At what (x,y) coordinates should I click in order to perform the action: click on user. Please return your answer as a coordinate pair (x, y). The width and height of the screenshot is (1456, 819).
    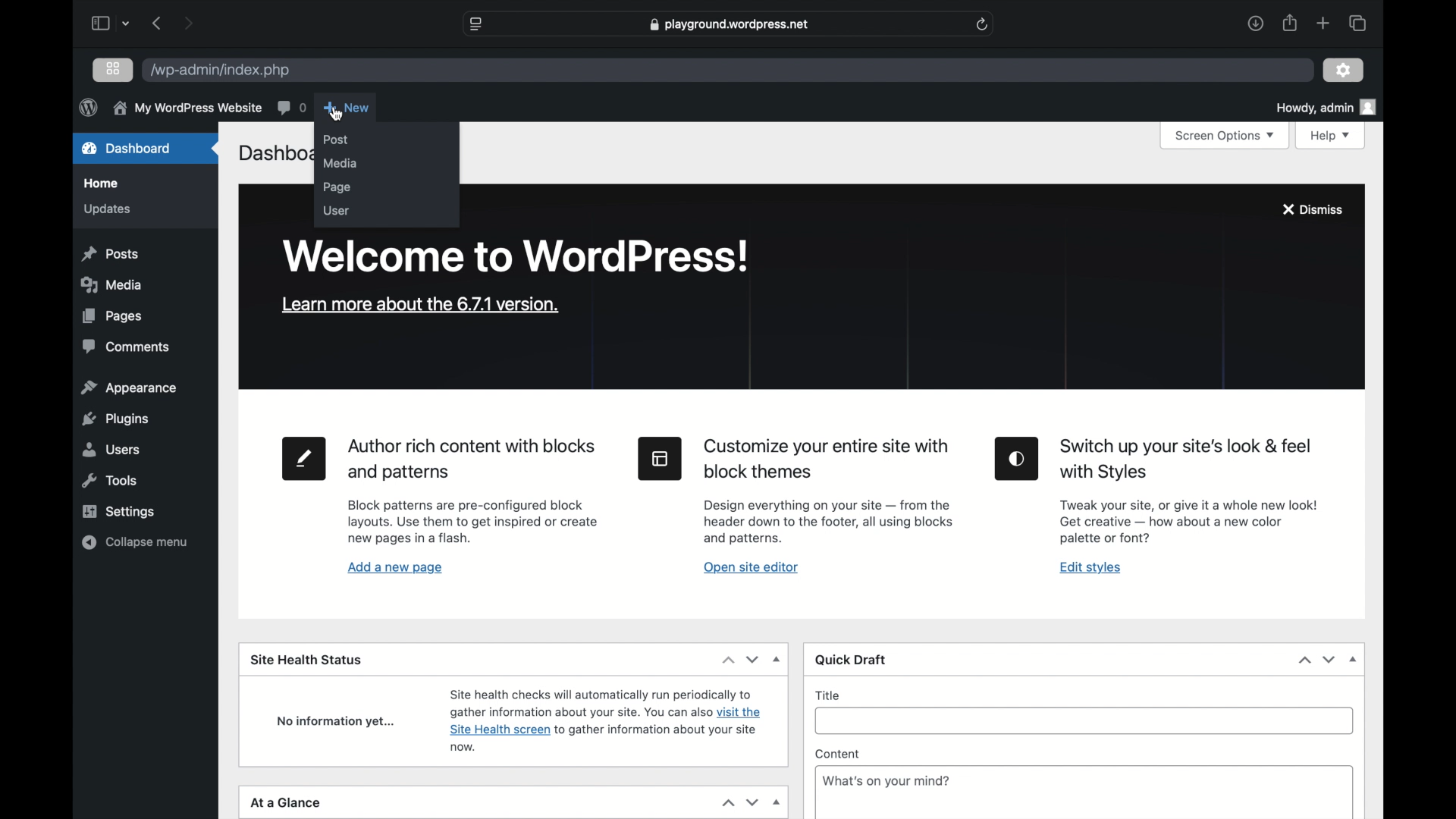
    Looking at the image, I should click on (336, 211).